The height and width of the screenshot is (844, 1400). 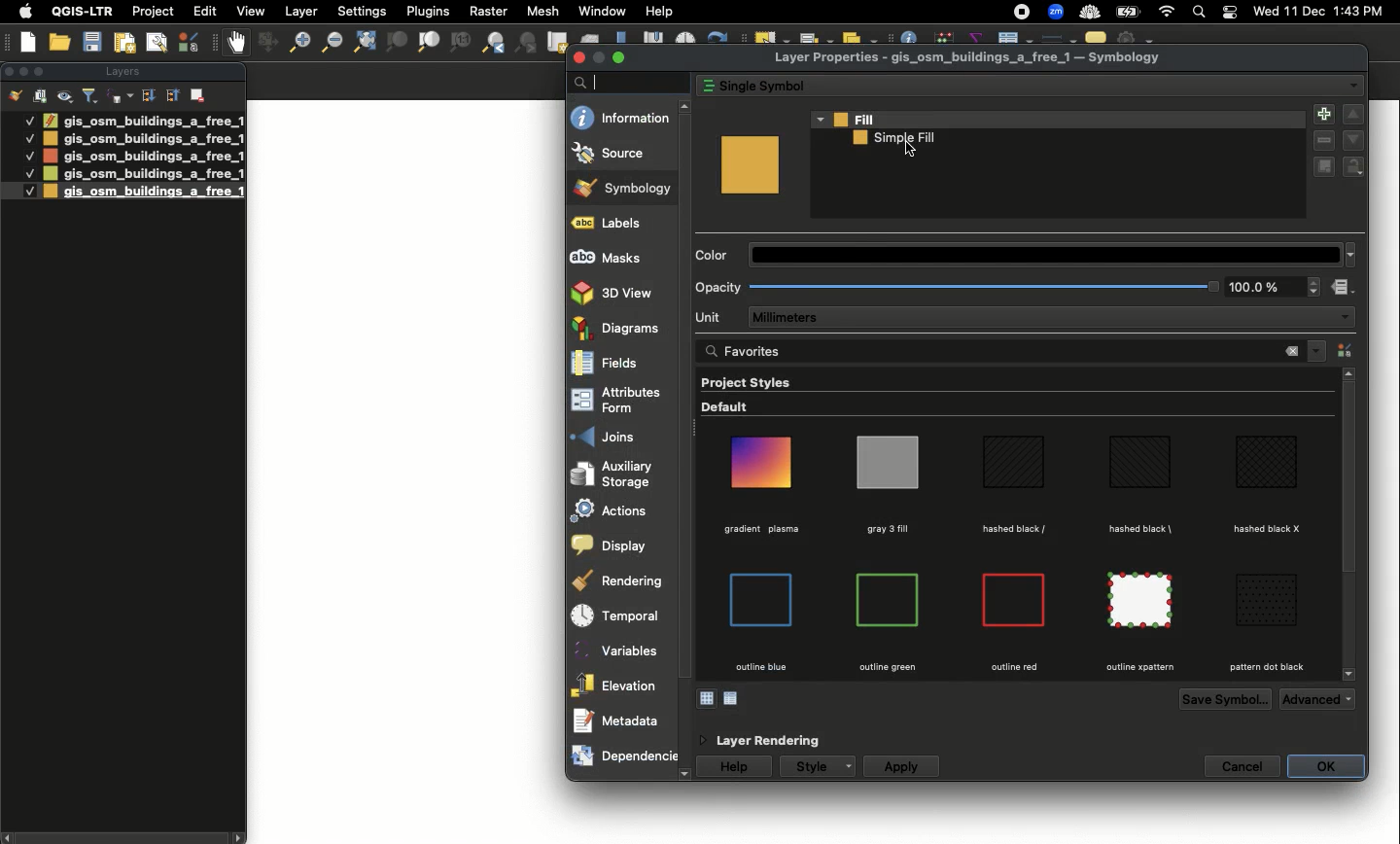 I want to click on Labels, so click(x=620, y=224).